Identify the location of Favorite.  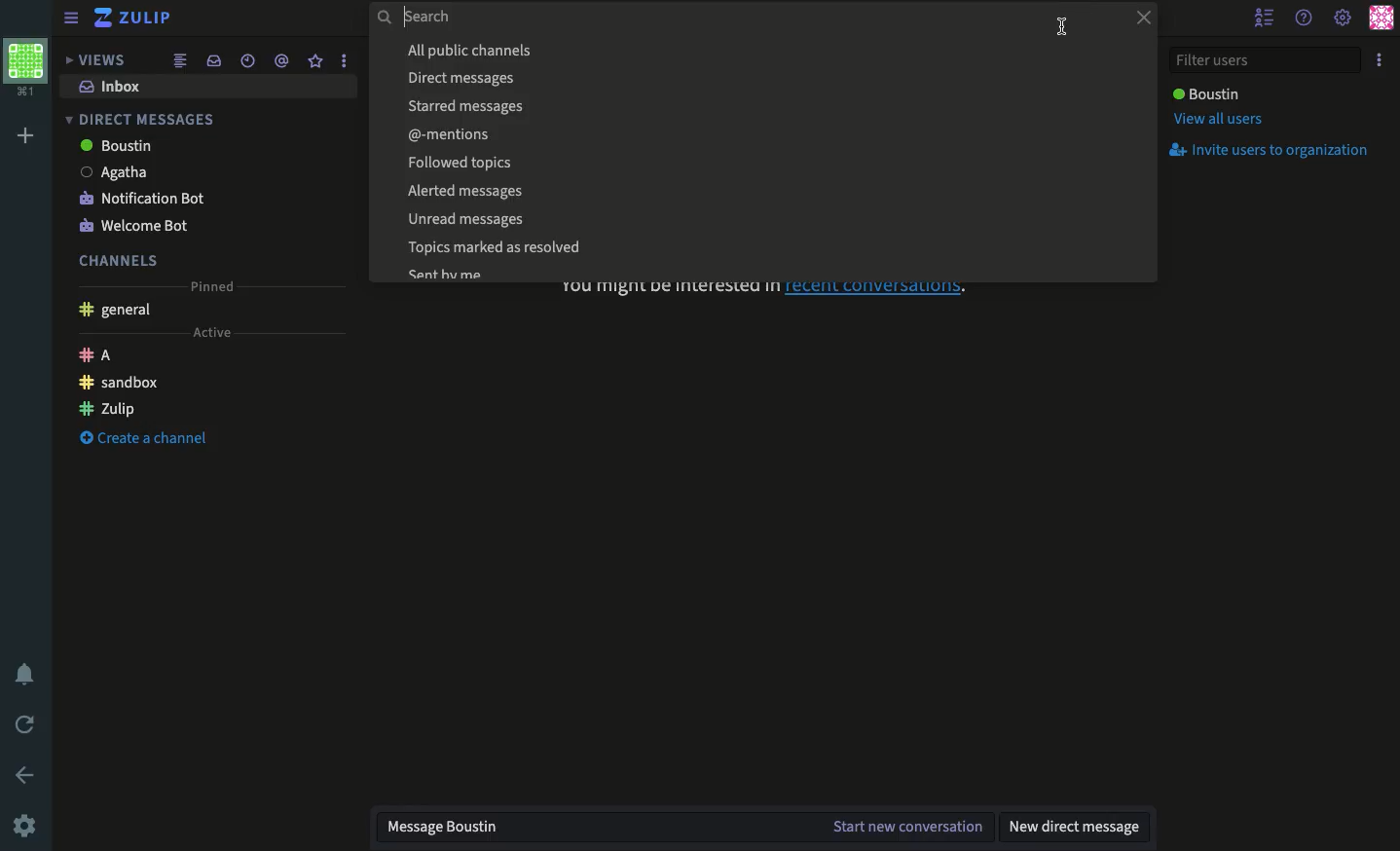
(315, 61).